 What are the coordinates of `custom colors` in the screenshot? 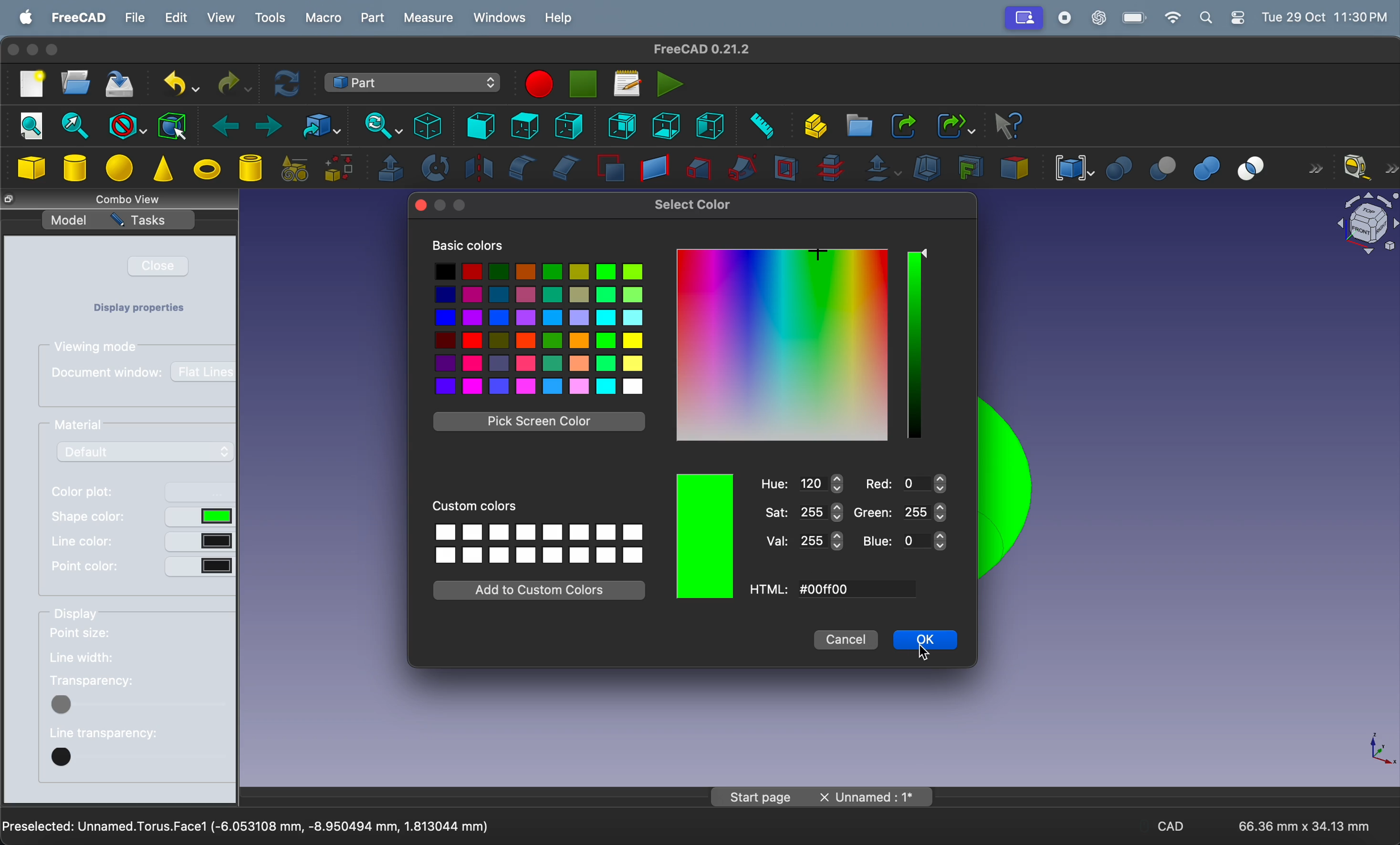 It's located at (539, 543).